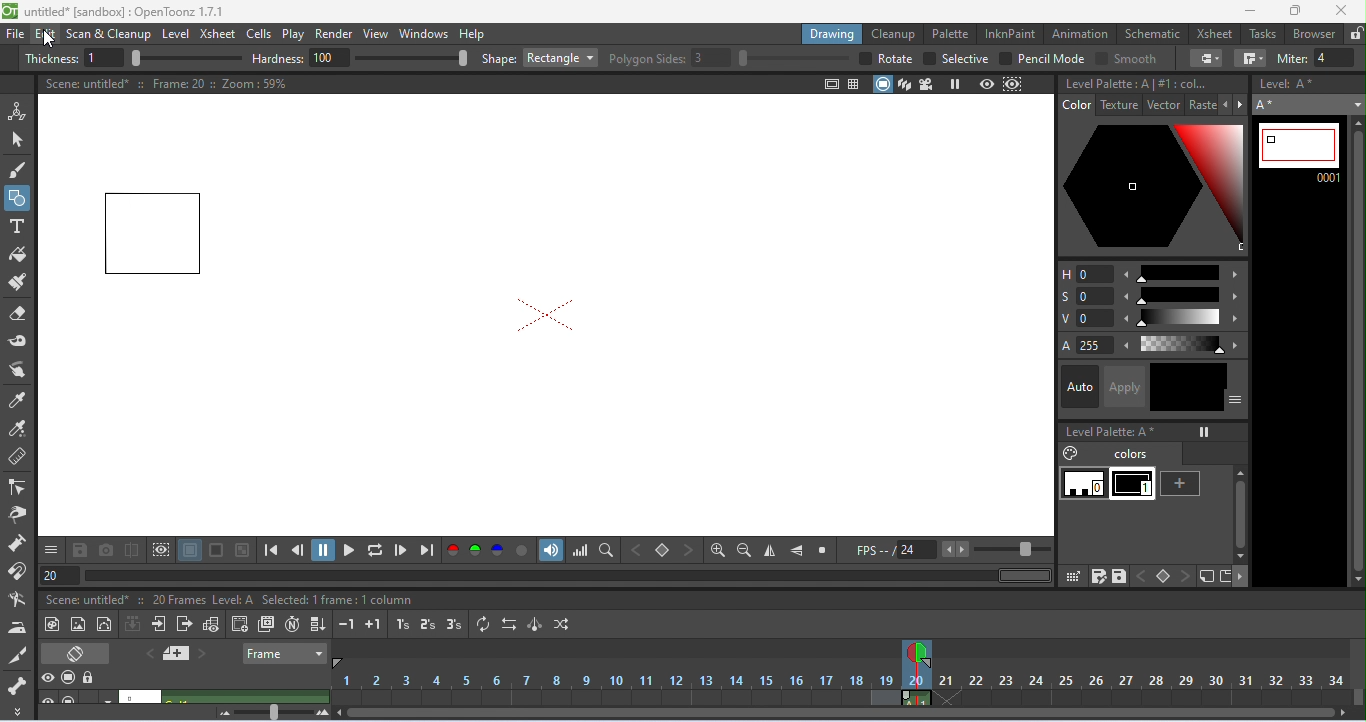  I want to click on Hue, so click(1152, 272).